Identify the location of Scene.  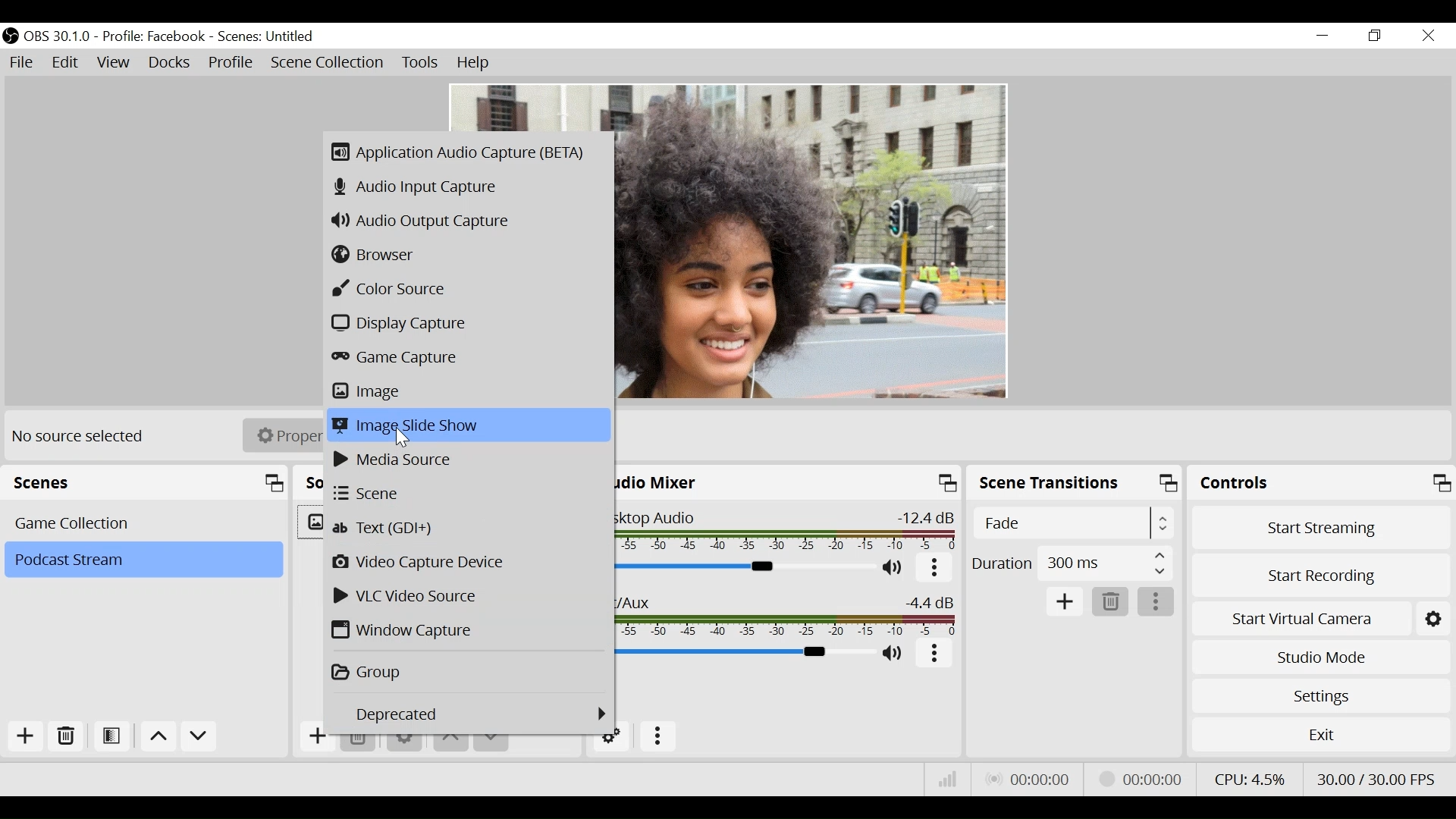
(268, 37).